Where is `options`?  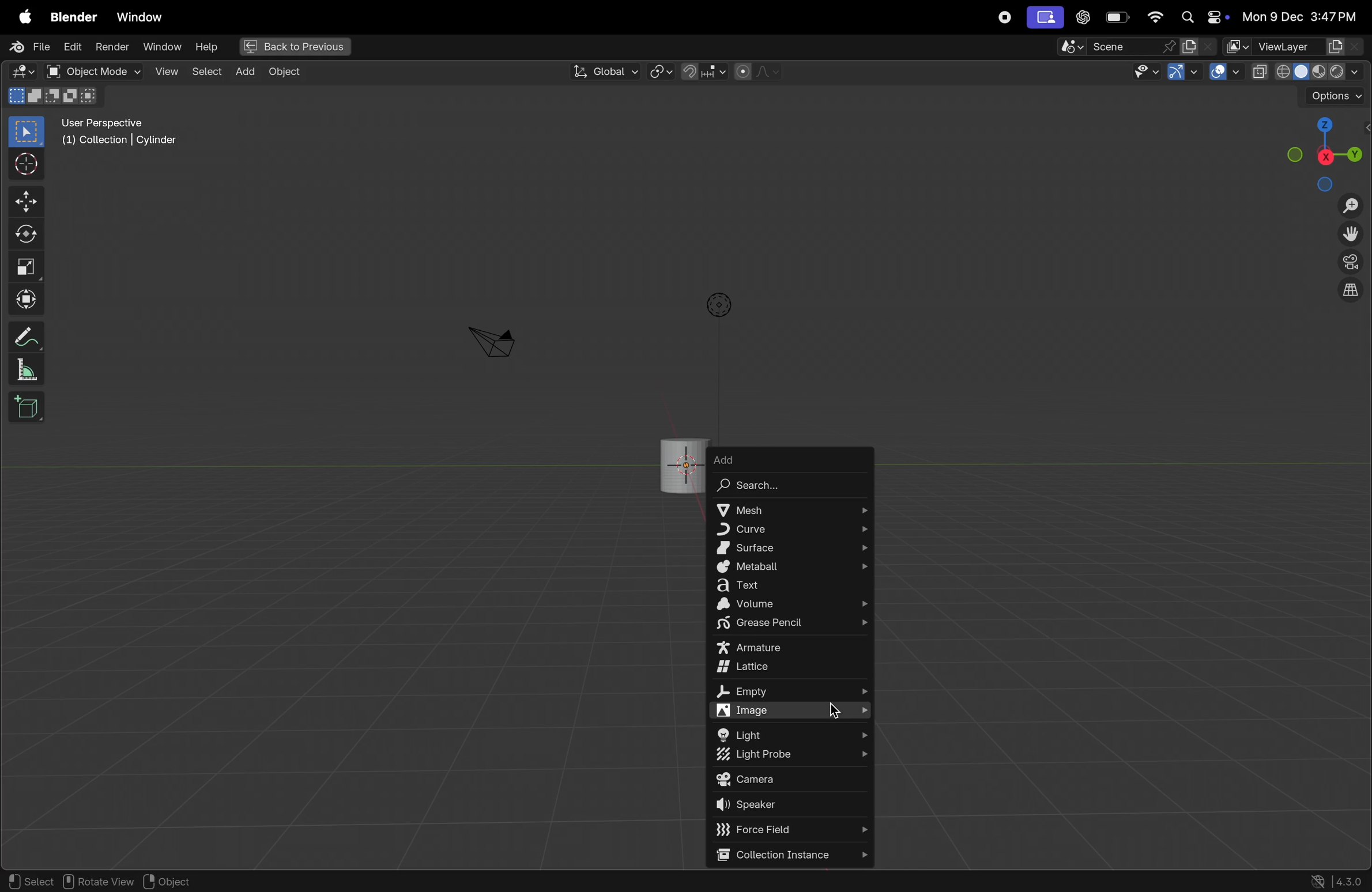 options is located at coordinates (1333, 96).